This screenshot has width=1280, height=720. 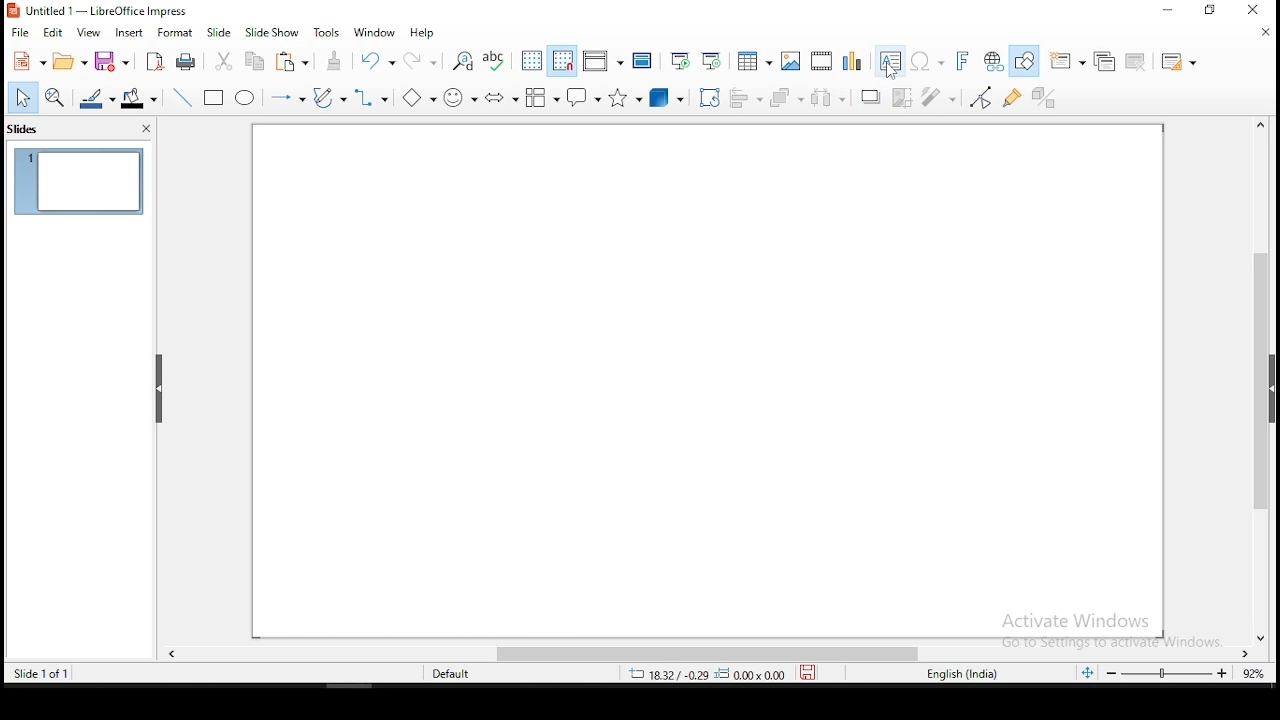 I want to click on cursor, so click(x=891, y=73).